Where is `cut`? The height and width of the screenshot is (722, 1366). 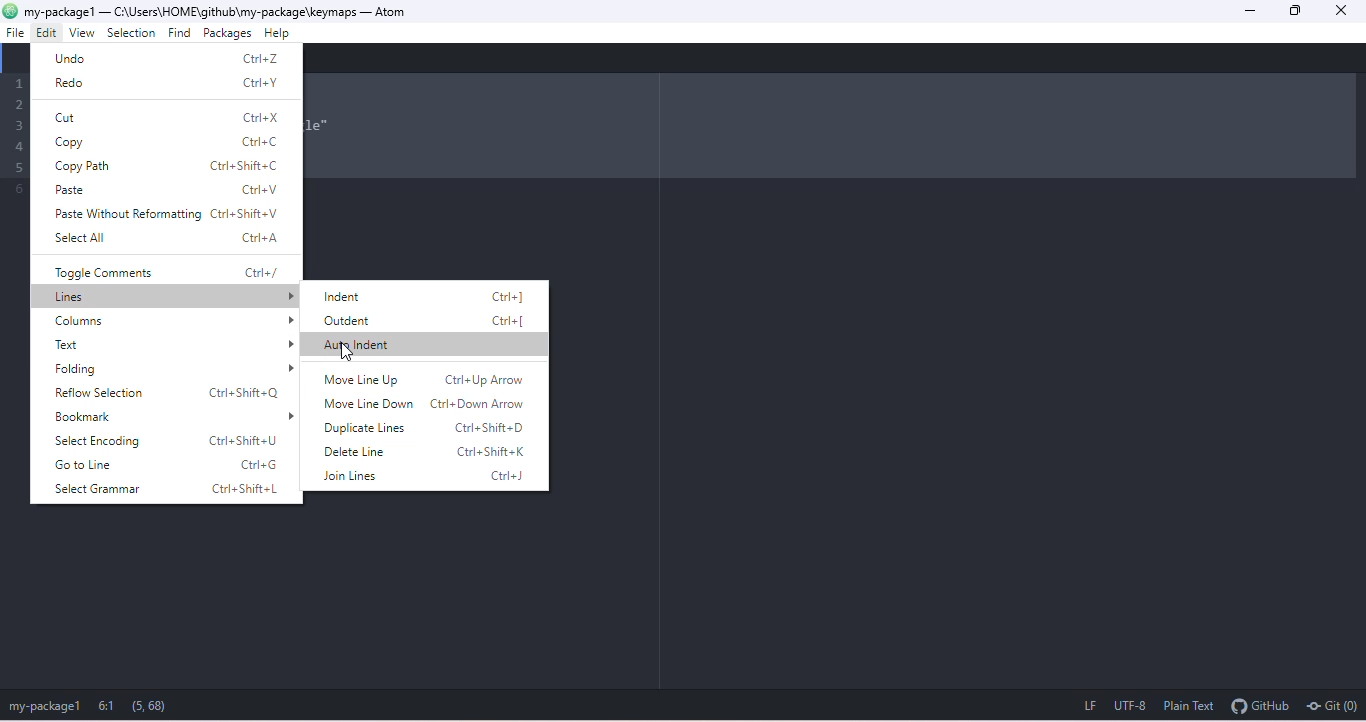 cut is located at coordinates (162, 120).